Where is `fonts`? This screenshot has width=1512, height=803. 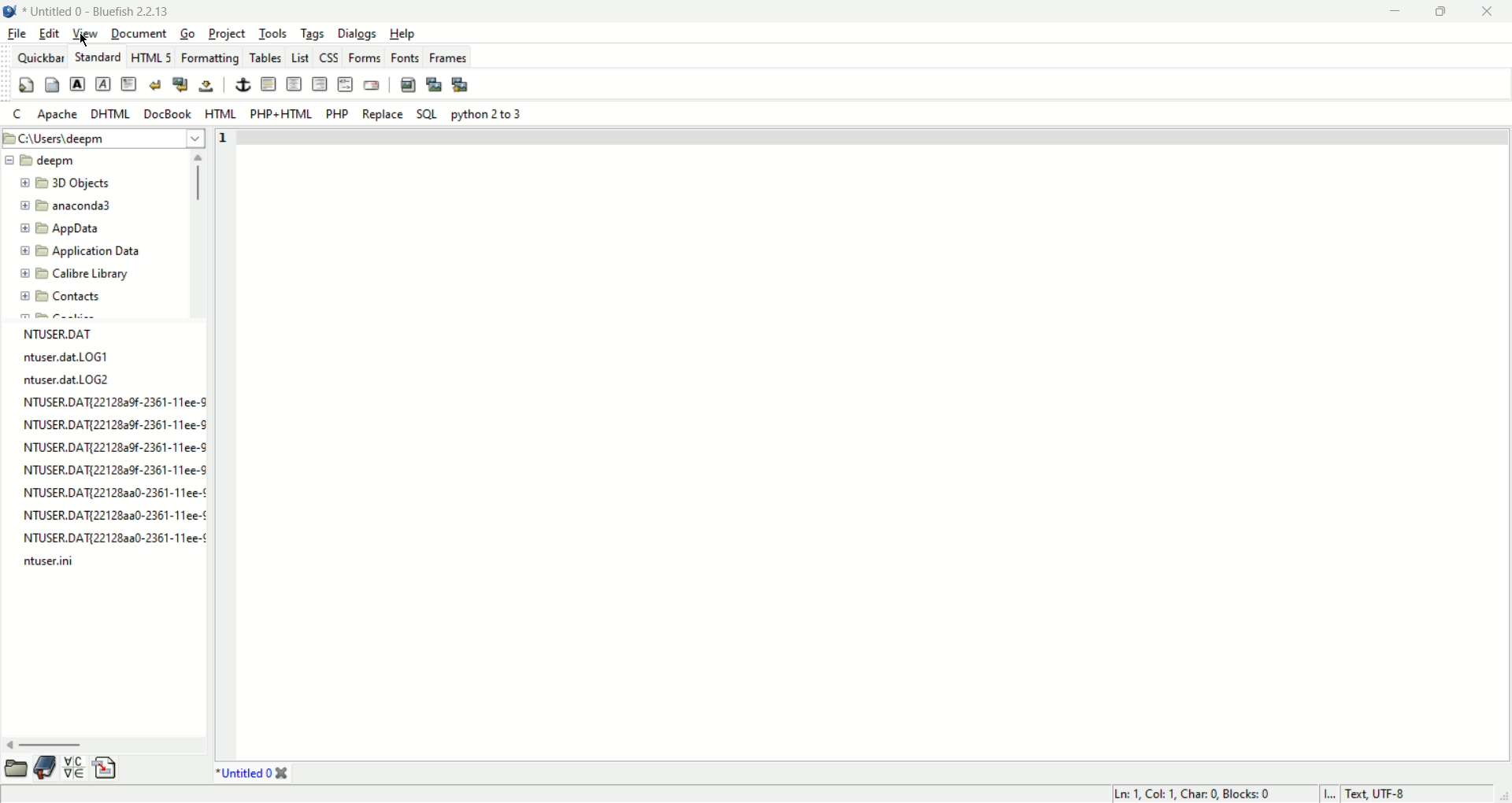
fonts is located at coordinates (405, 57).